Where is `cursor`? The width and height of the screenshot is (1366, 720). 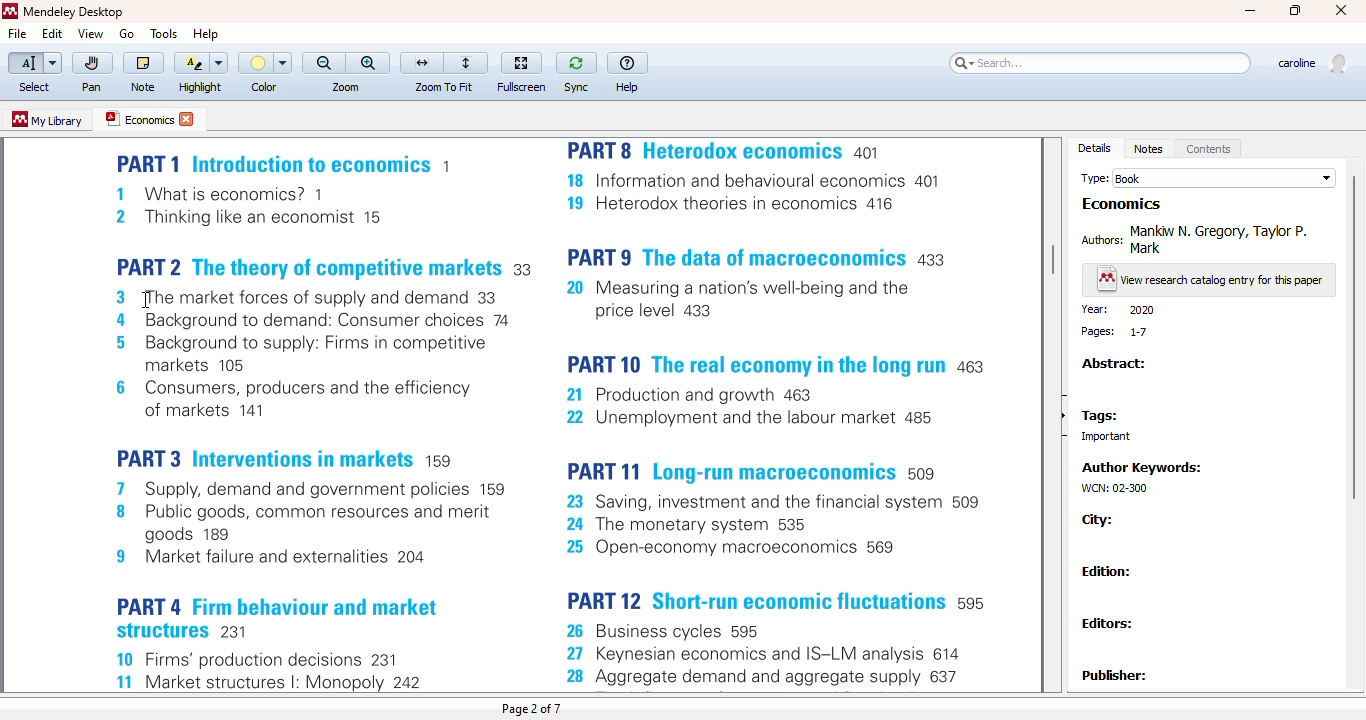 cursor is located at coordinates (146, 300).